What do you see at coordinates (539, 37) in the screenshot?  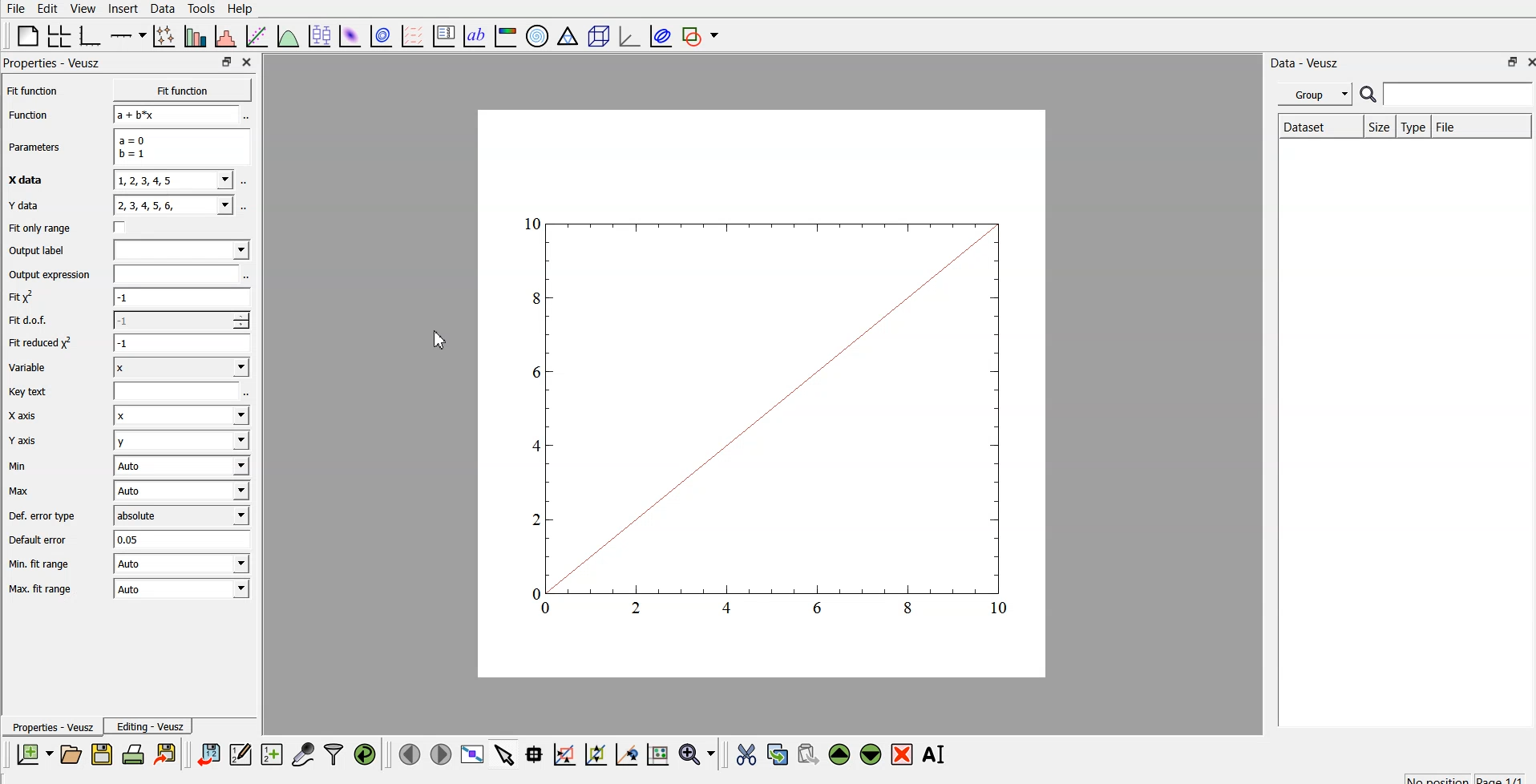 I see `polar graph` at bounding box center [539, 37].